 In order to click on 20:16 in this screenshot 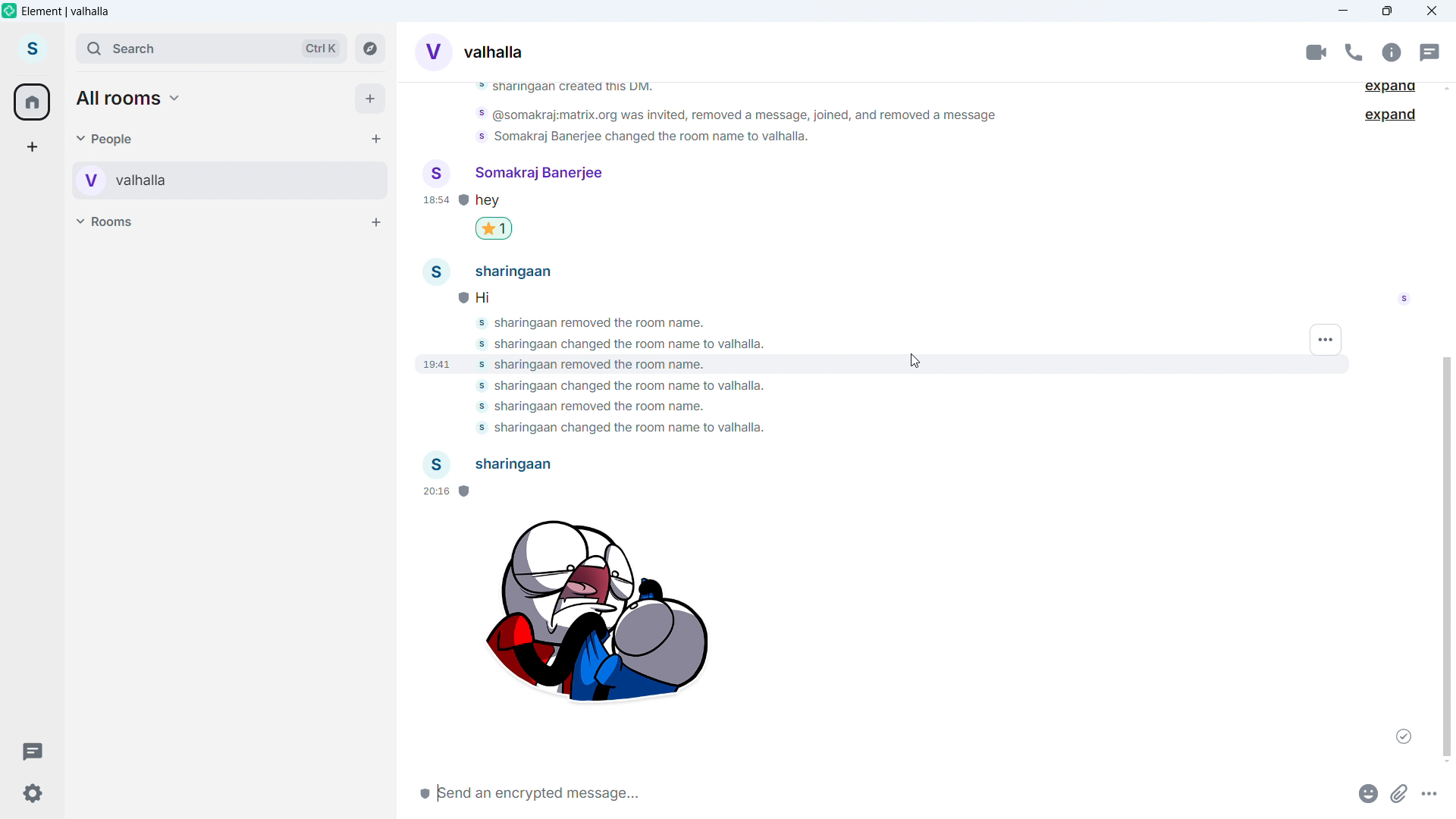, I will do `click(444, 492)`.